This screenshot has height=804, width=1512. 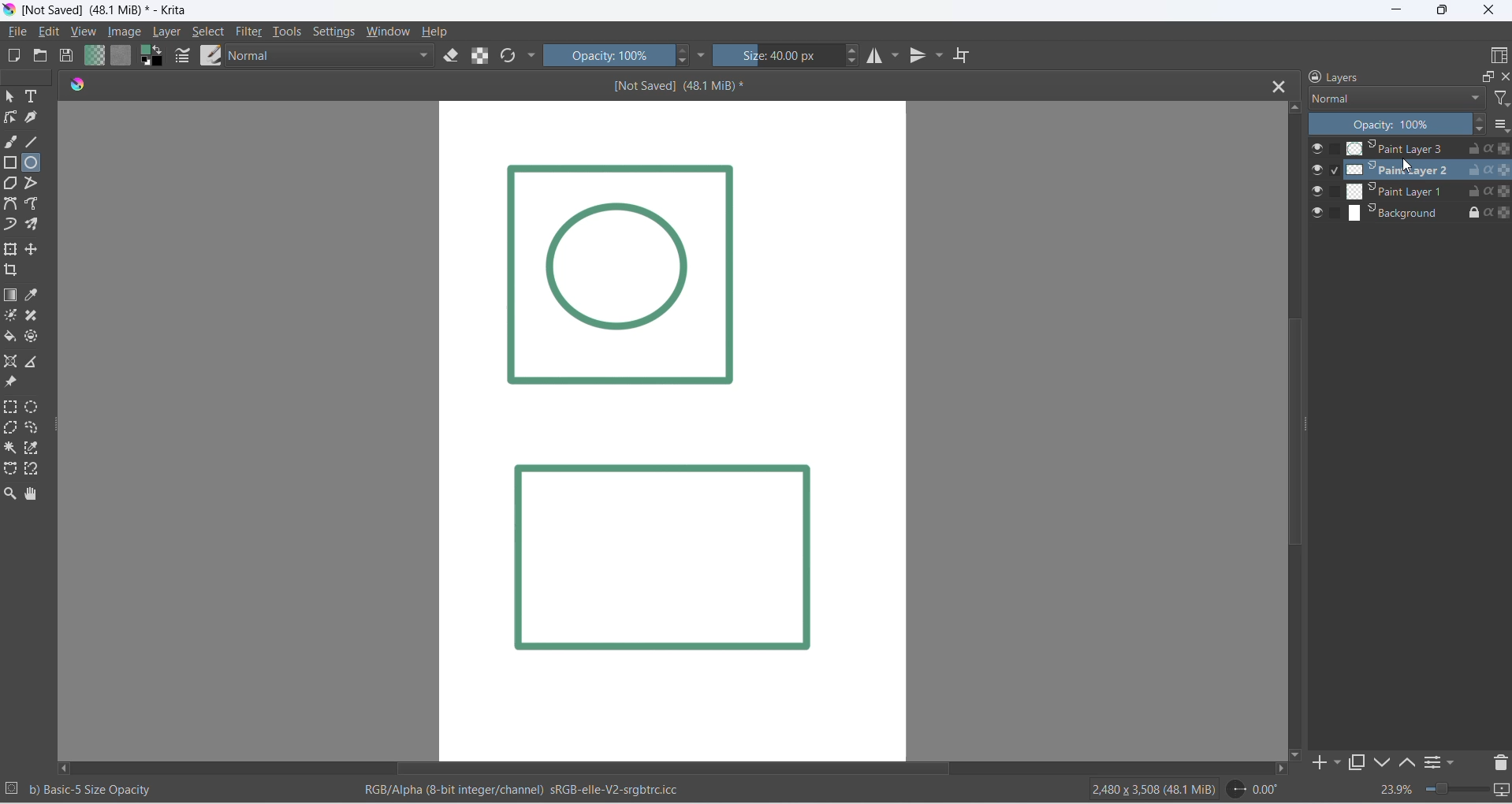 I want to click on layer type, so click(x=1395, y=98).